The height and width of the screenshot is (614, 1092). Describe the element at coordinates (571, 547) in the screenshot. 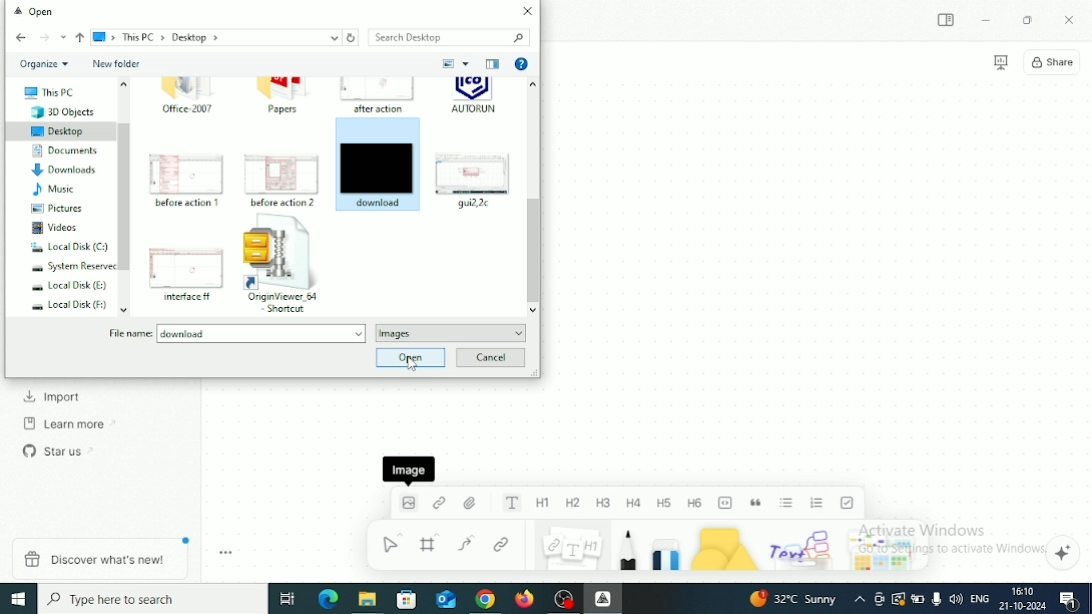

I see `Note` at that location.